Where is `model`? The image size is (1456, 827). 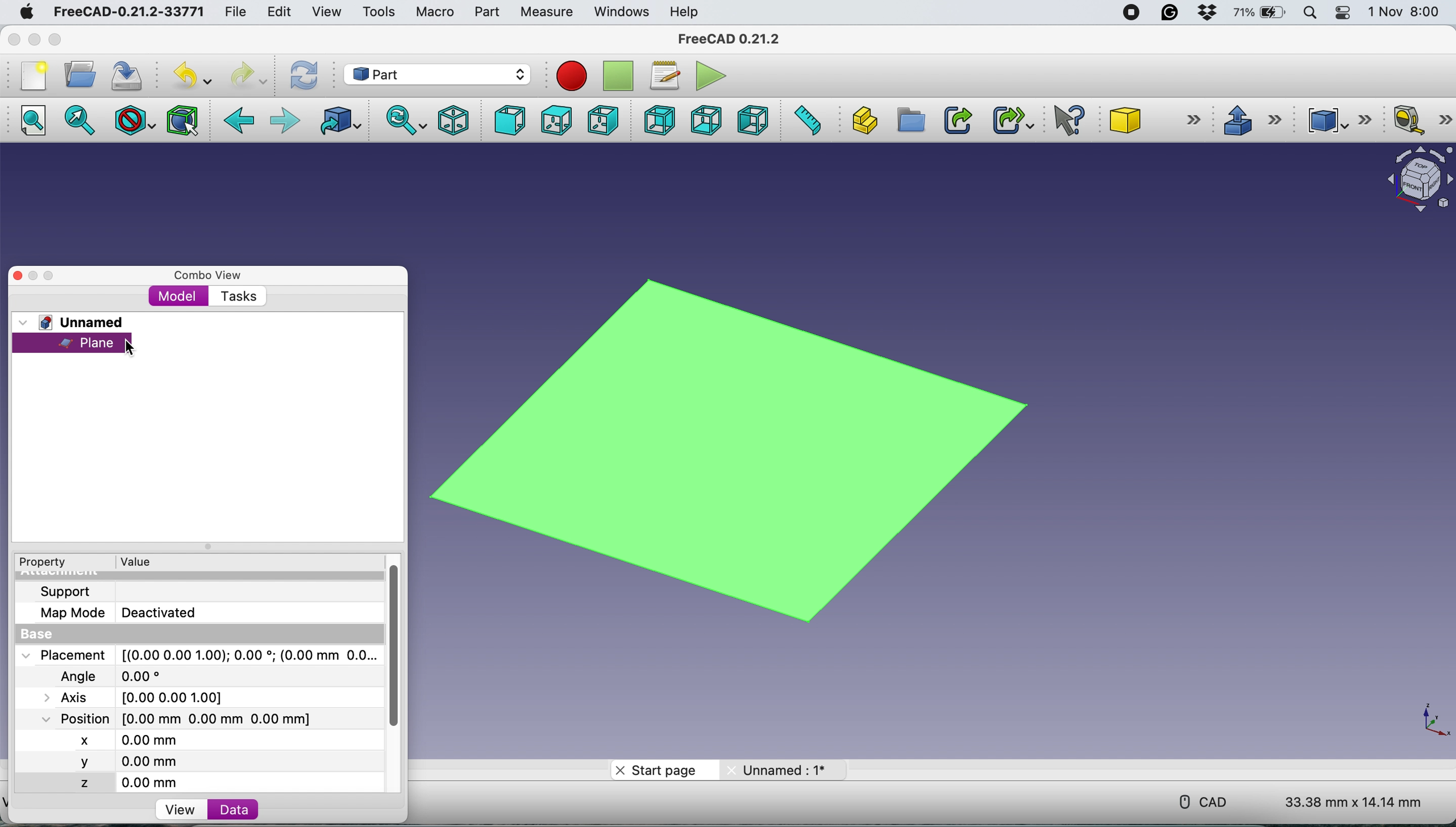 model is located at coordinates (175, 295).